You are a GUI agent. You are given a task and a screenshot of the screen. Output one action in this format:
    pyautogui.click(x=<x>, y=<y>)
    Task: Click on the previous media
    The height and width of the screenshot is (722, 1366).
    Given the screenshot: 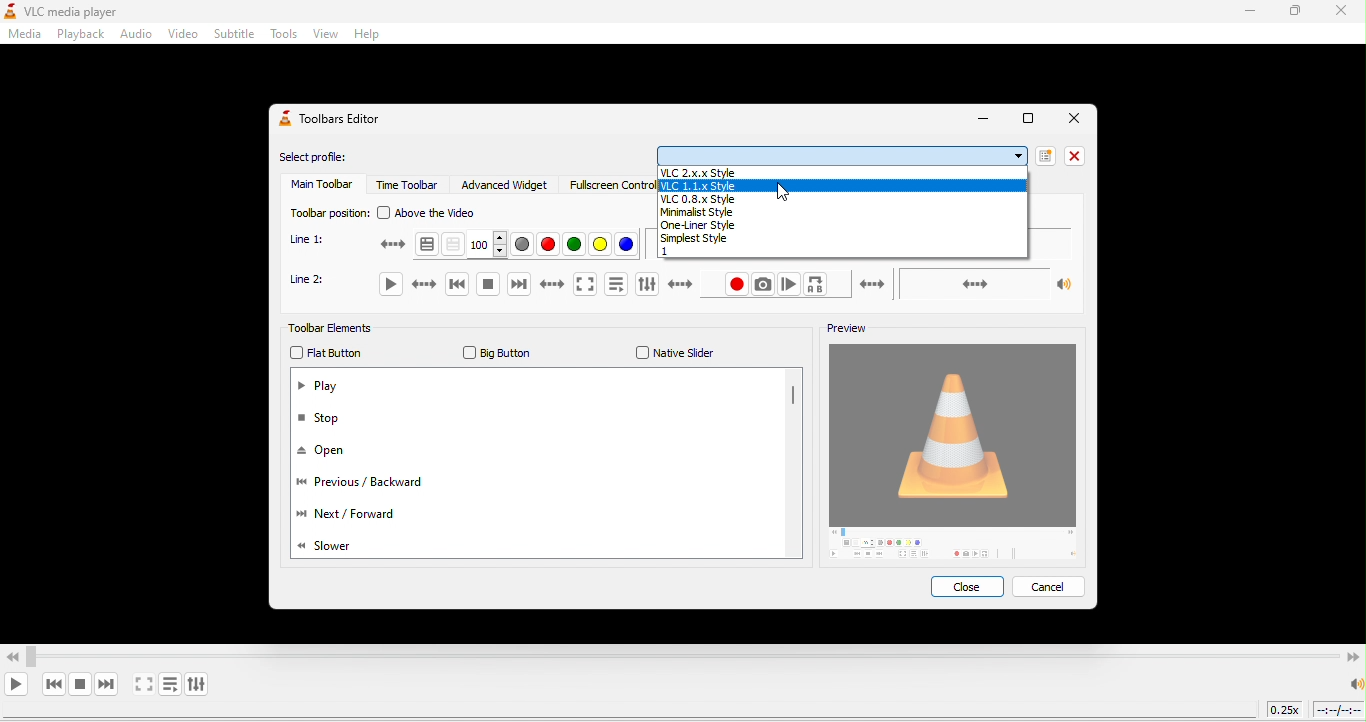 What is the action you would take?
    pyautogui.click(x=457, y=287)
    